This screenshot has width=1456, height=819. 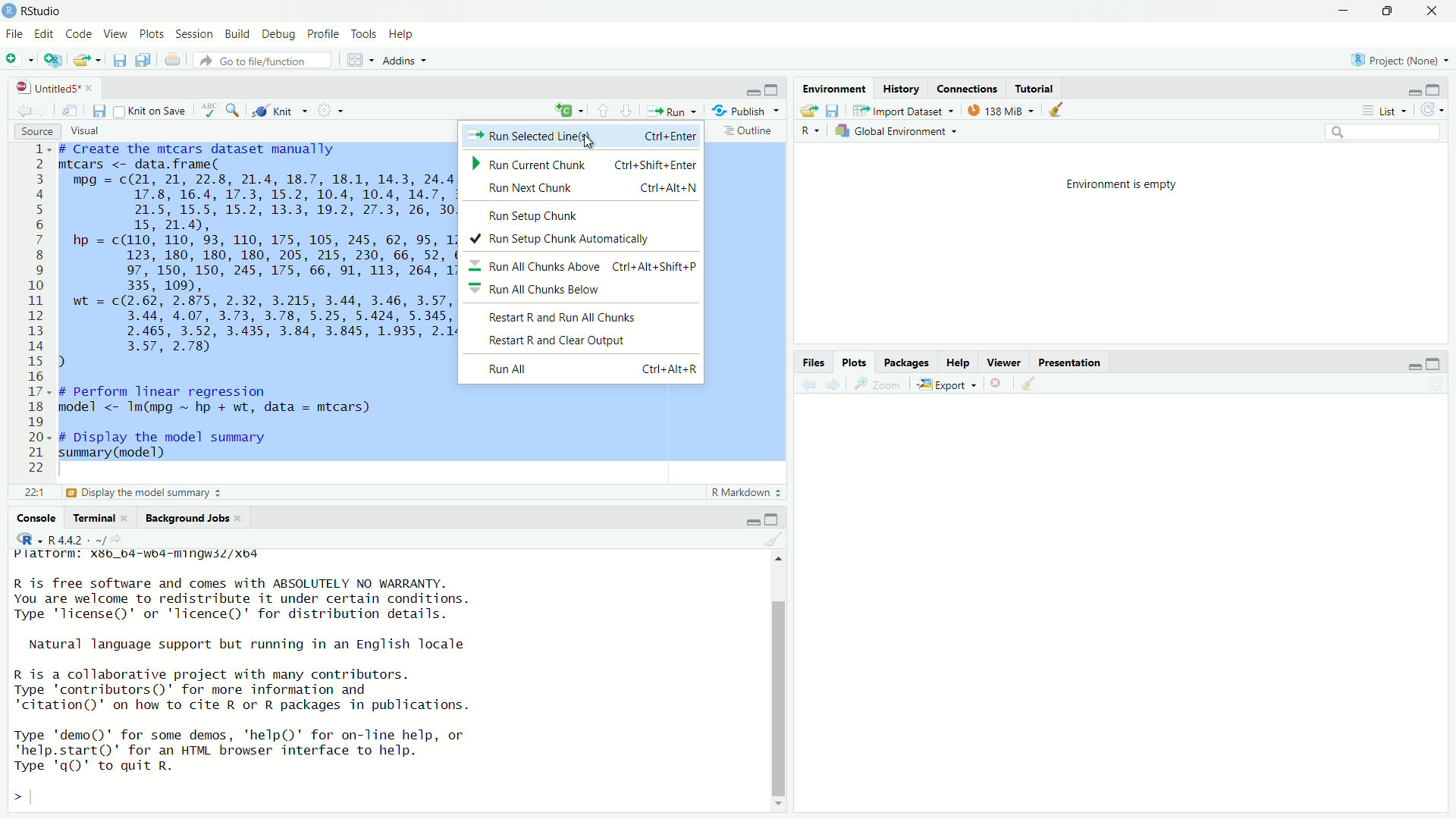 I want to click on Ctrl+Alt+N |, so click(x=670, y=188).